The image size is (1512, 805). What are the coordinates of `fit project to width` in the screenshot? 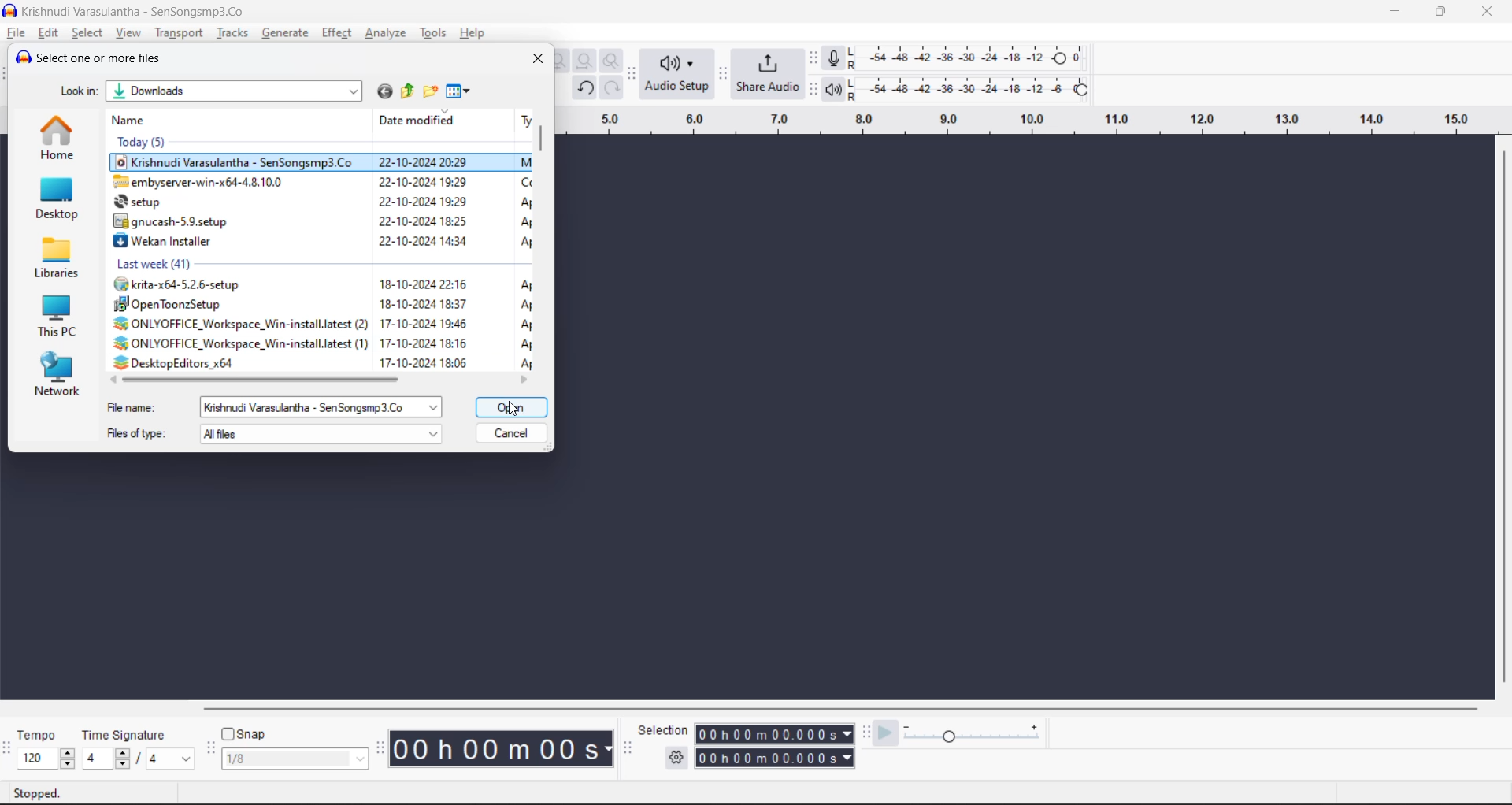 It's located at (587, 62).